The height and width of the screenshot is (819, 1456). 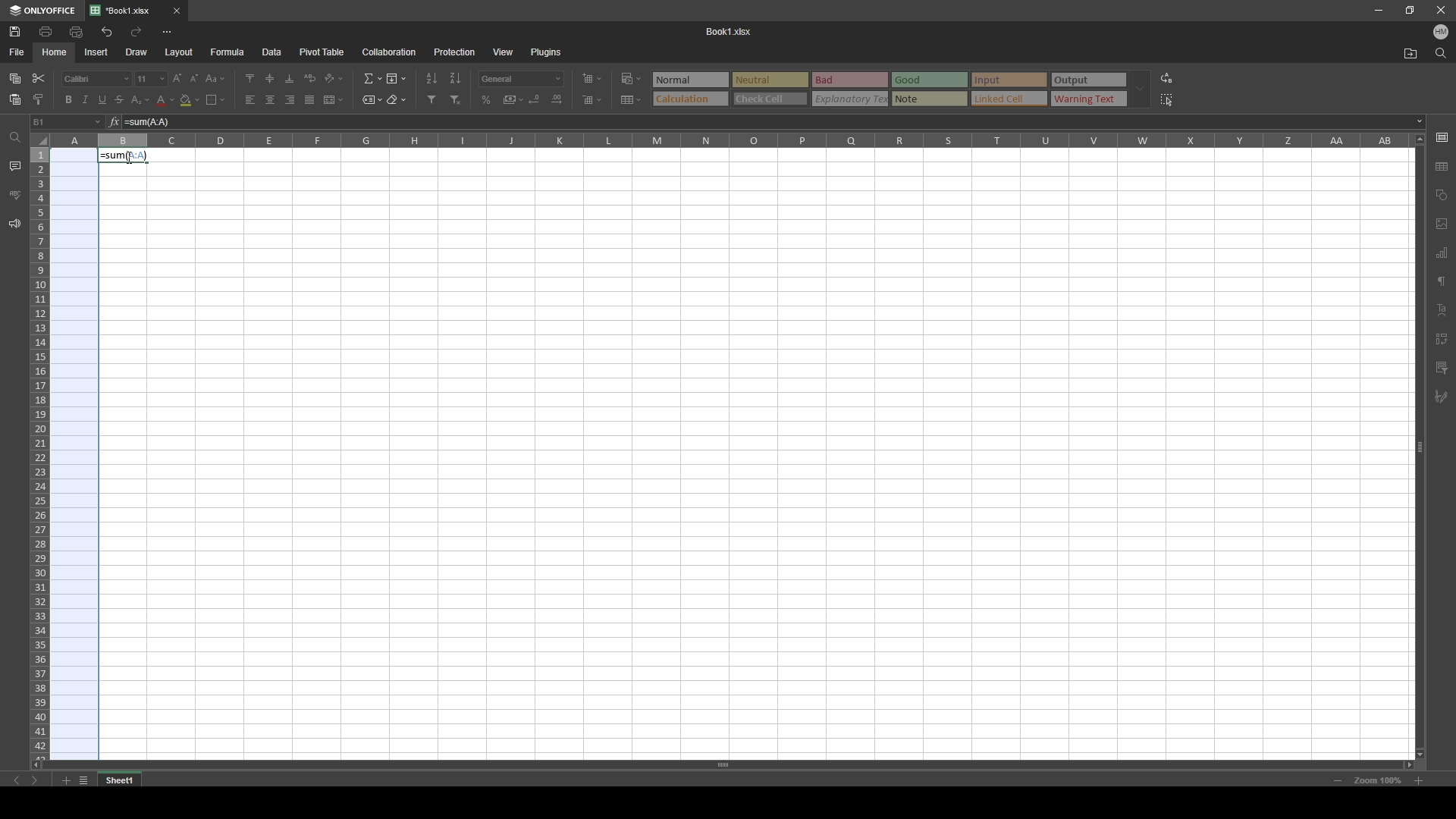 I want to click on cell input, so click(x=767, y=122).